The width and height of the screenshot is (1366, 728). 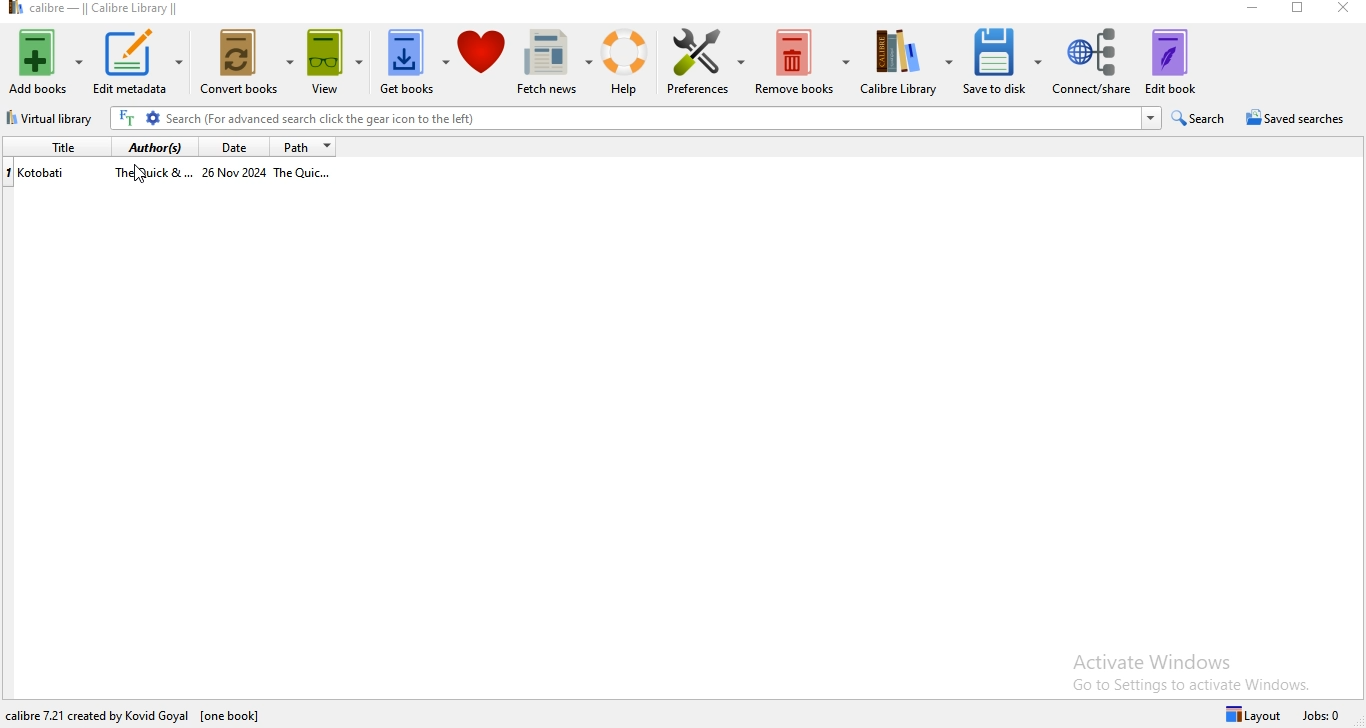 I want to click on search bar, so click(x=635, y=119).